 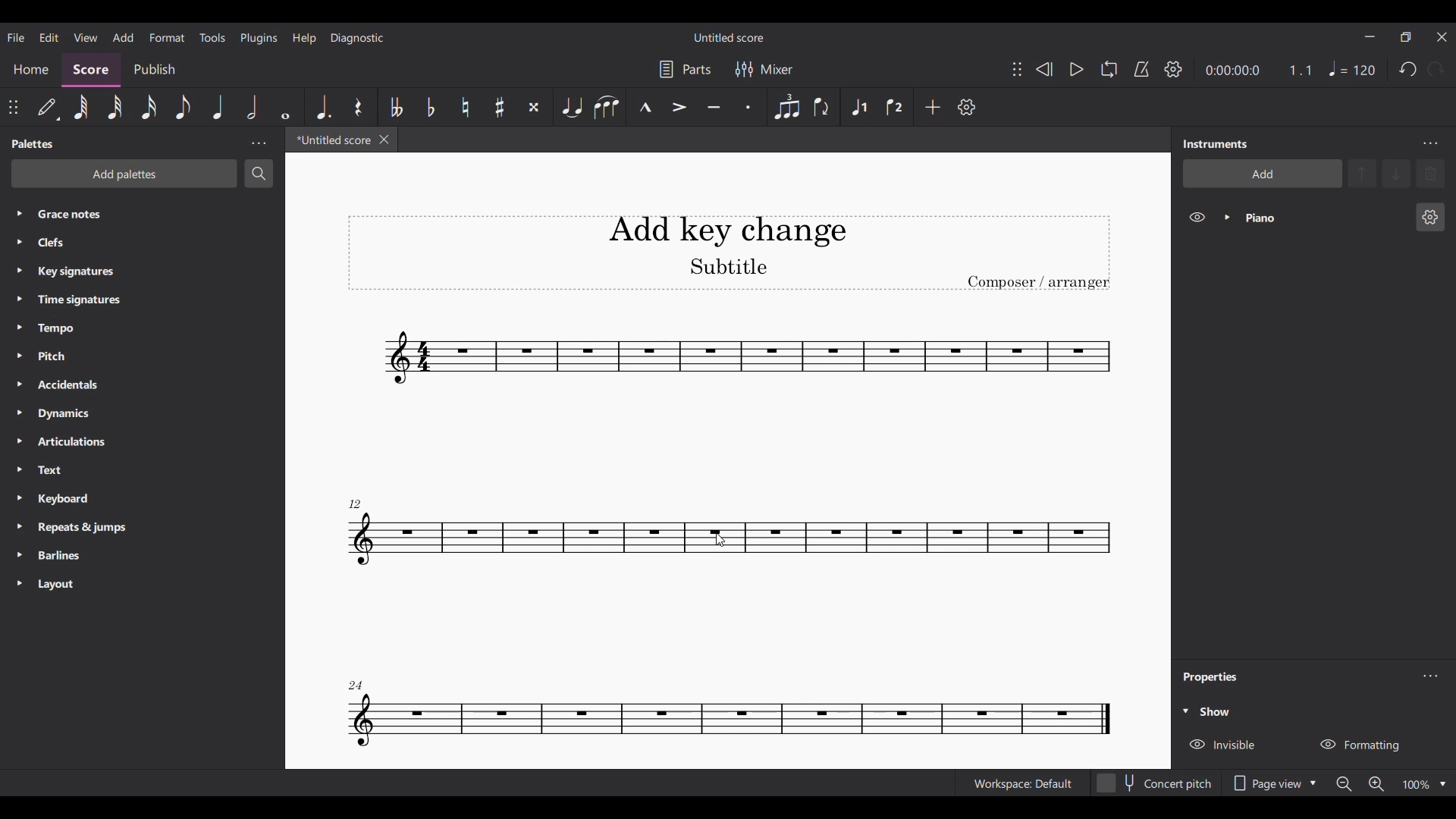 What do you see at coordinates (1407, 68) in the screenshot?
I see `Undo` at bounding box center [1407, 68].